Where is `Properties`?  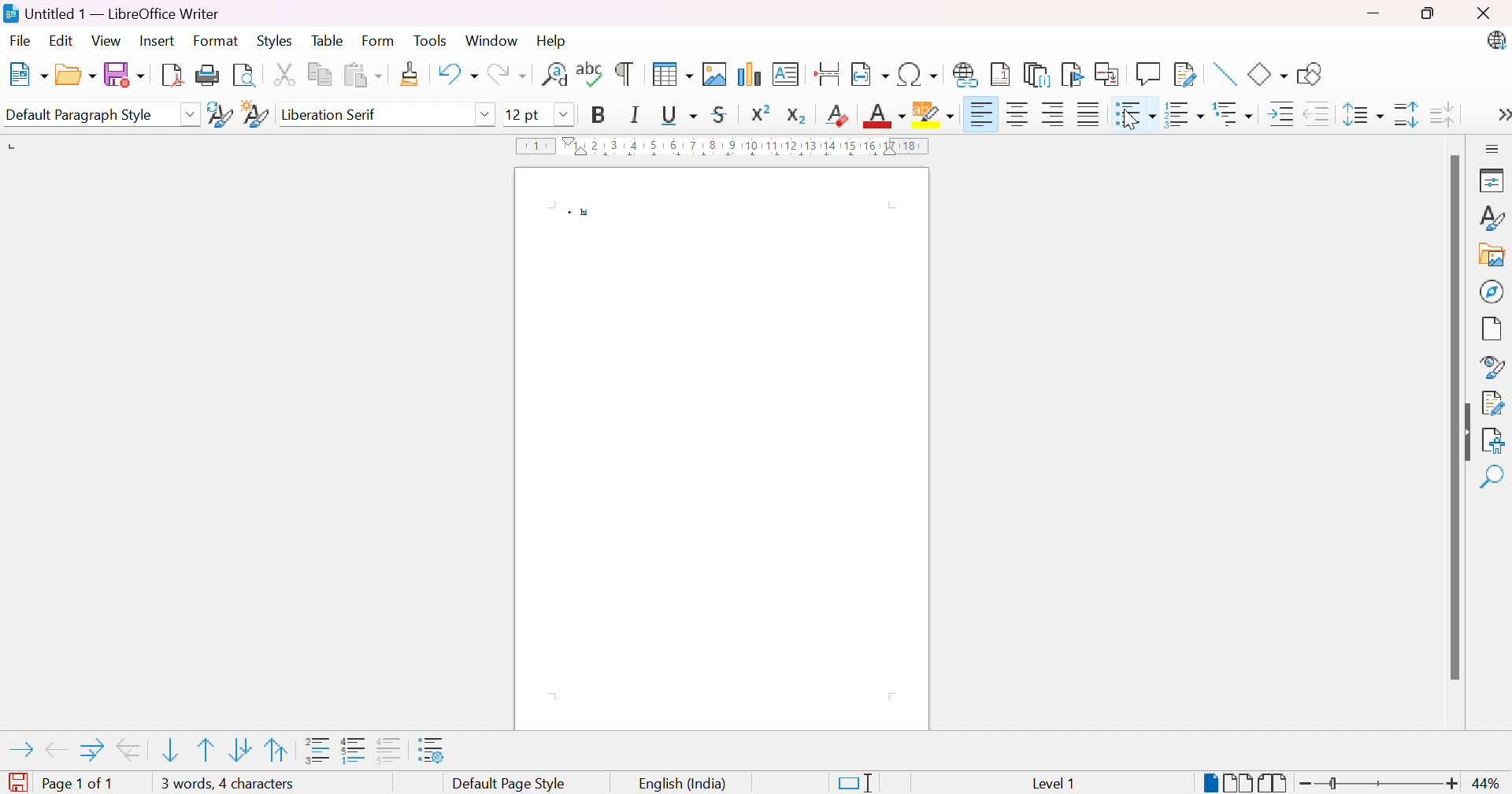 Properties is located at coordinates (1494, 181).